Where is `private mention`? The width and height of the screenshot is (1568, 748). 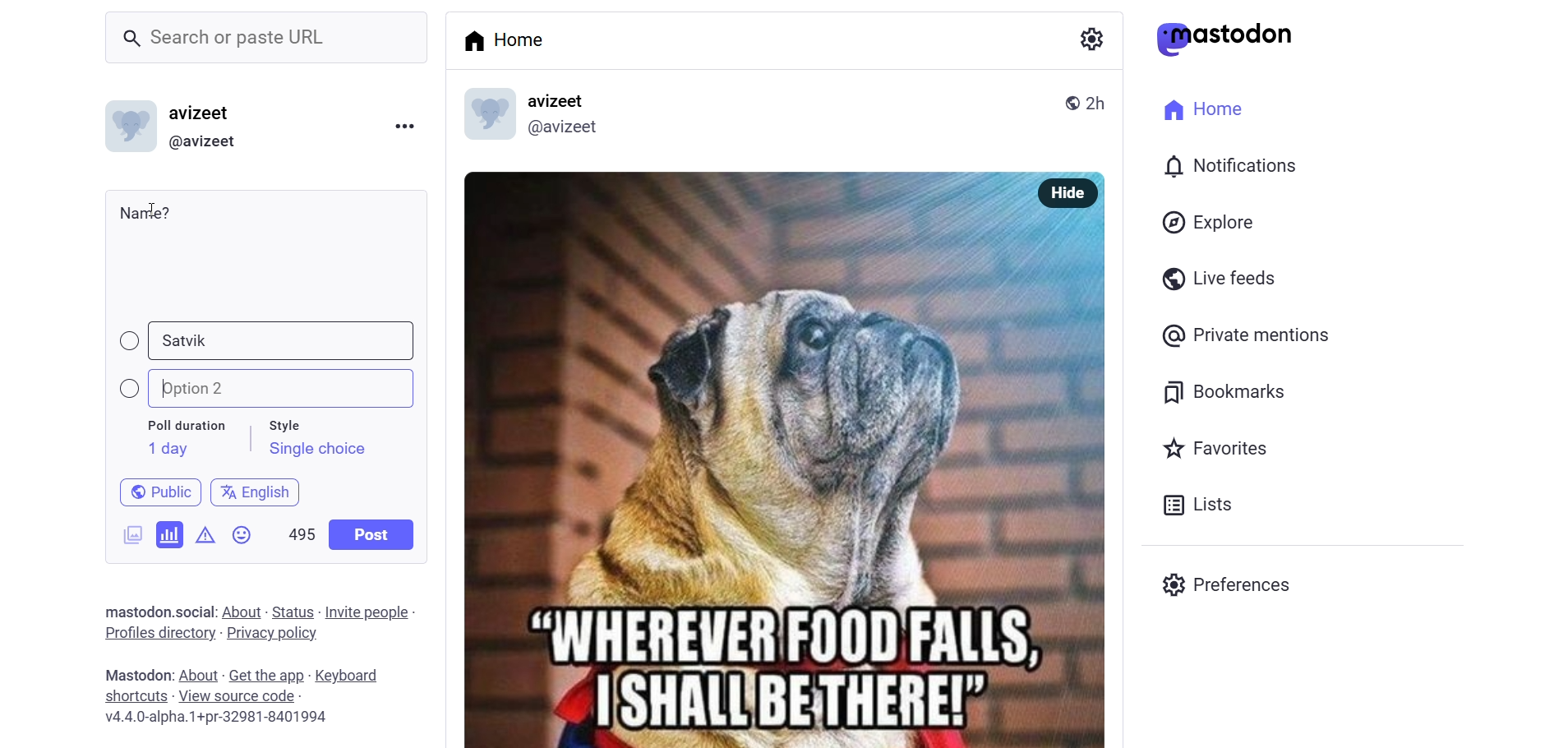
private mention is located at coordinates (1247, 335).